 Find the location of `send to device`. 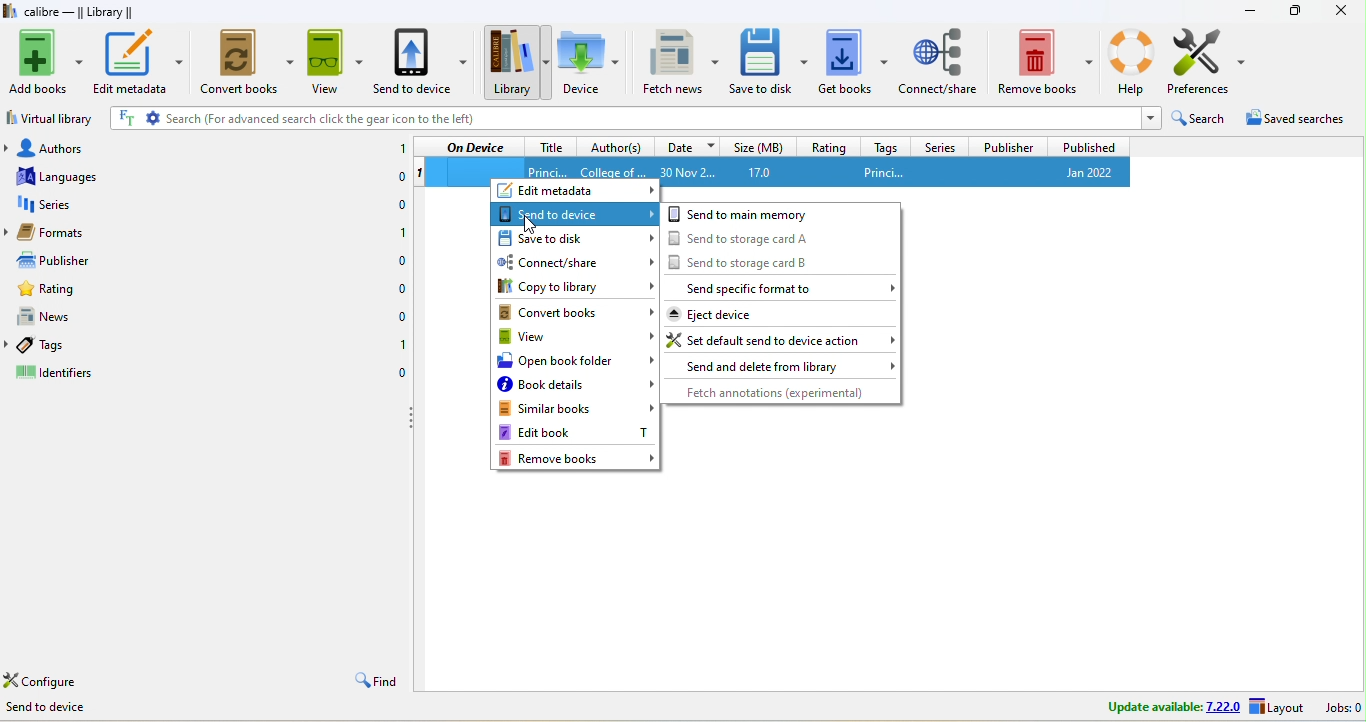

send to device is located at coordinates (423, 63).